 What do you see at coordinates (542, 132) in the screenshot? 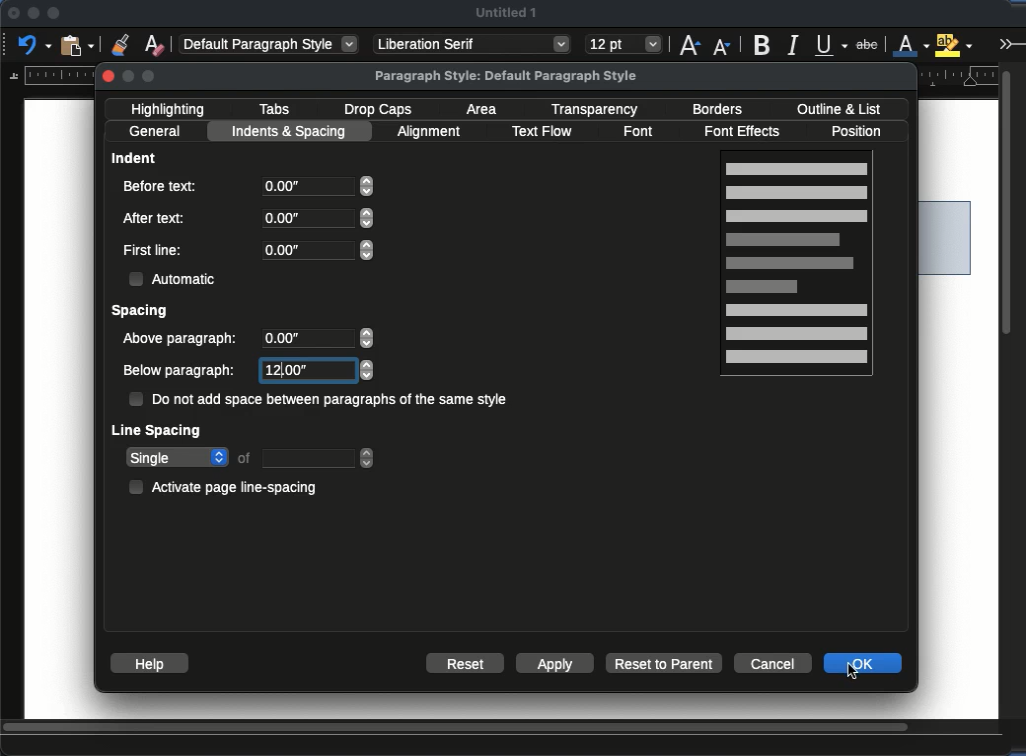
I see `text flow` at bounding box center [542, 132].